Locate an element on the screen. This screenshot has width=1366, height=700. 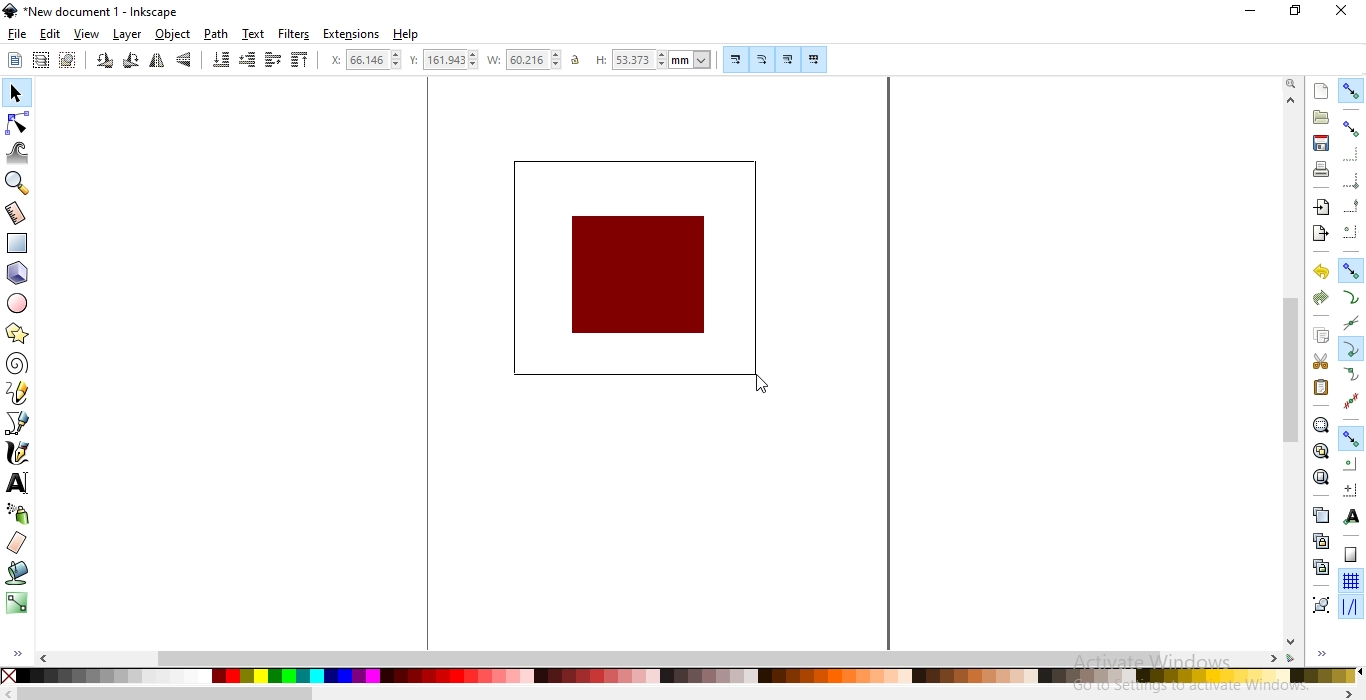
create and edit text objects is located at coordinates (17, 481).